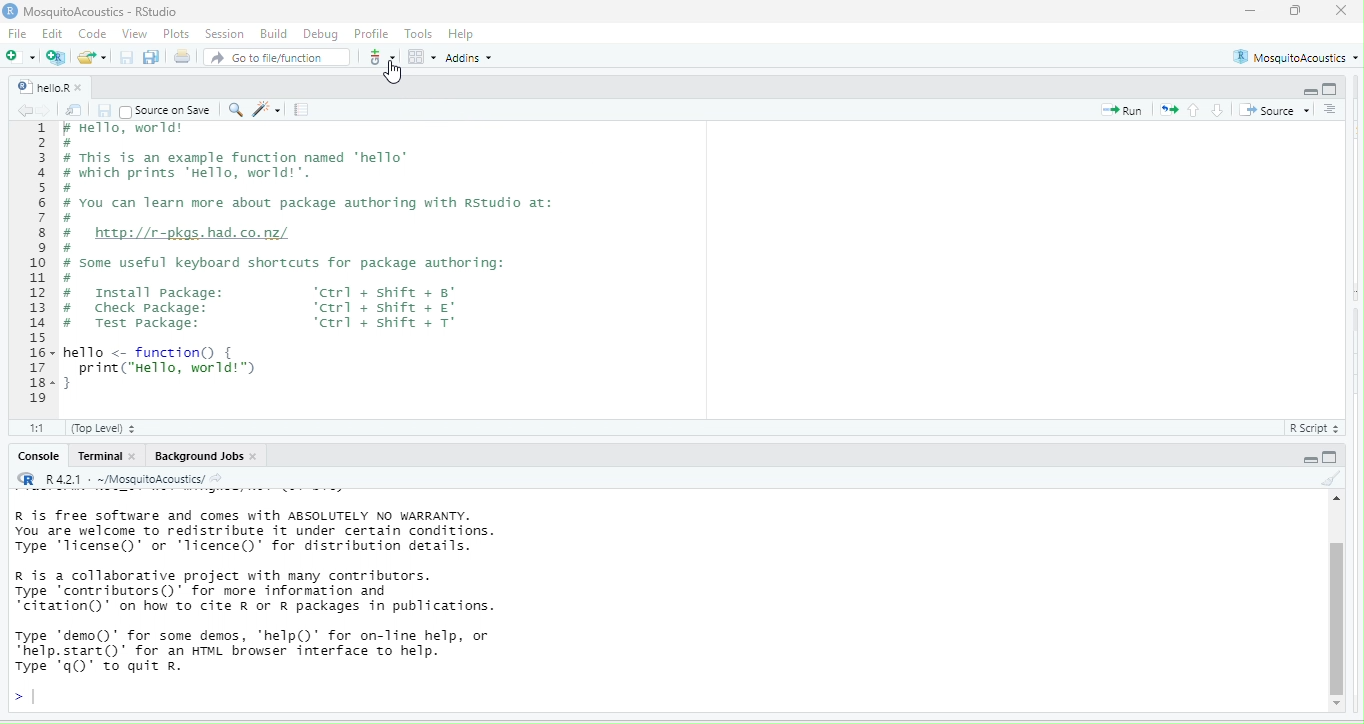 The width and height of the screenshot is (1364, 724). Describe the element at coordinates (58, 58) in the screenshot. I see `create a project` at that location.